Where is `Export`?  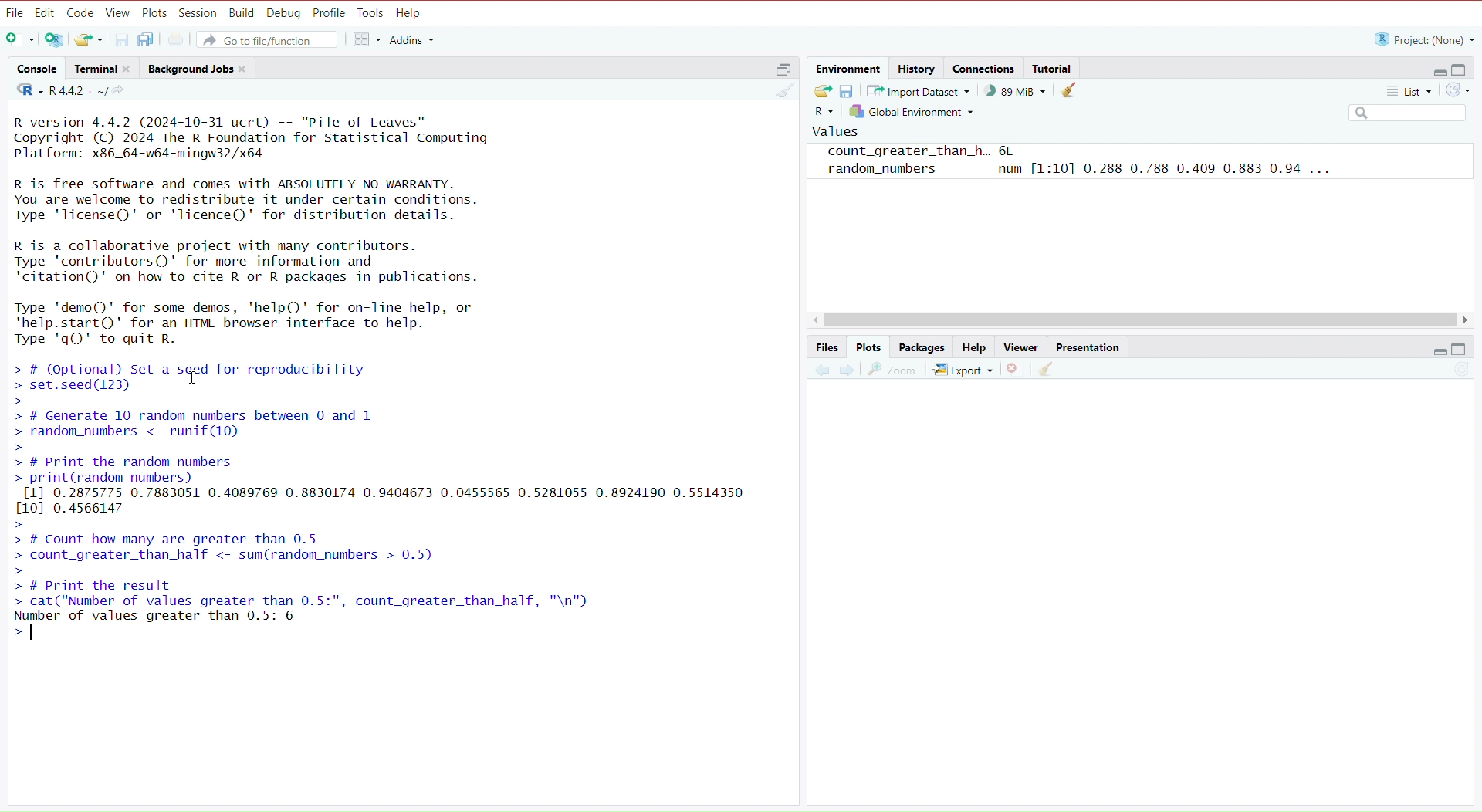
Export is located at coordinates (963, 370).